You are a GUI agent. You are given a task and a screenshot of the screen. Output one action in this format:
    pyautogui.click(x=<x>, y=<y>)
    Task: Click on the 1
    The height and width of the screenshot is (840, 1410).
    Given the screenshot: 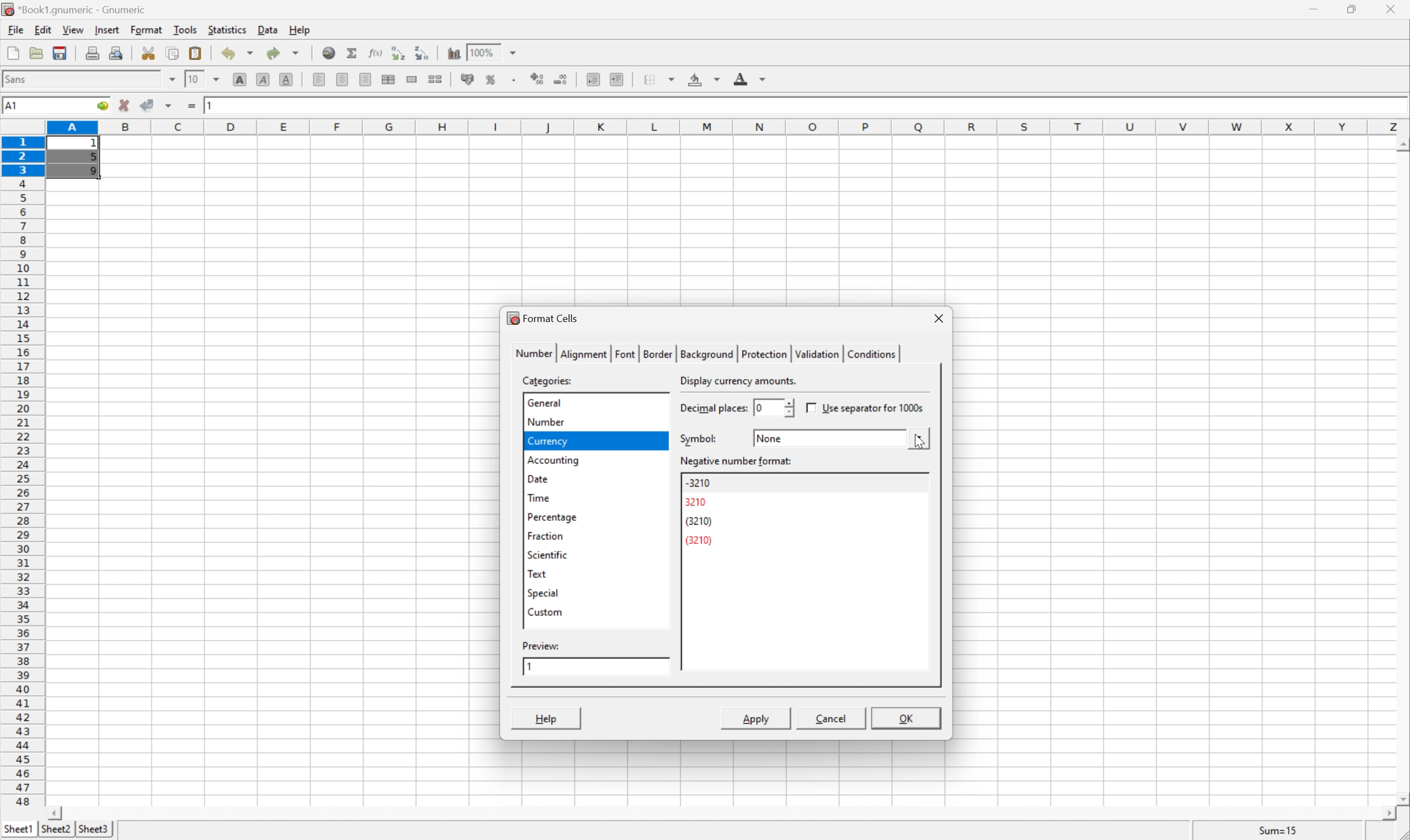 What is the action you would take?
    pyautogui.click(x=212, y=104)
    